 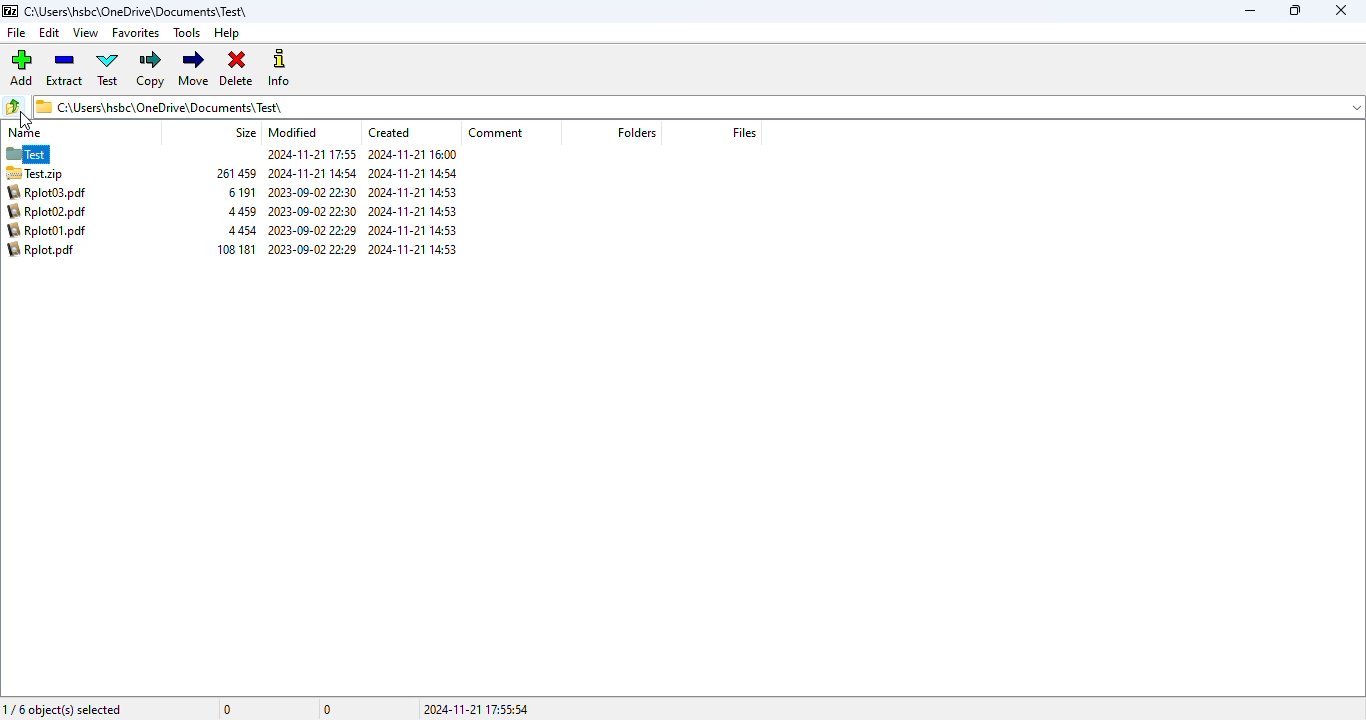 What do you see at coordinates (25, 133) in the screenshot?
I see `name` at bounding box center [25, 133].